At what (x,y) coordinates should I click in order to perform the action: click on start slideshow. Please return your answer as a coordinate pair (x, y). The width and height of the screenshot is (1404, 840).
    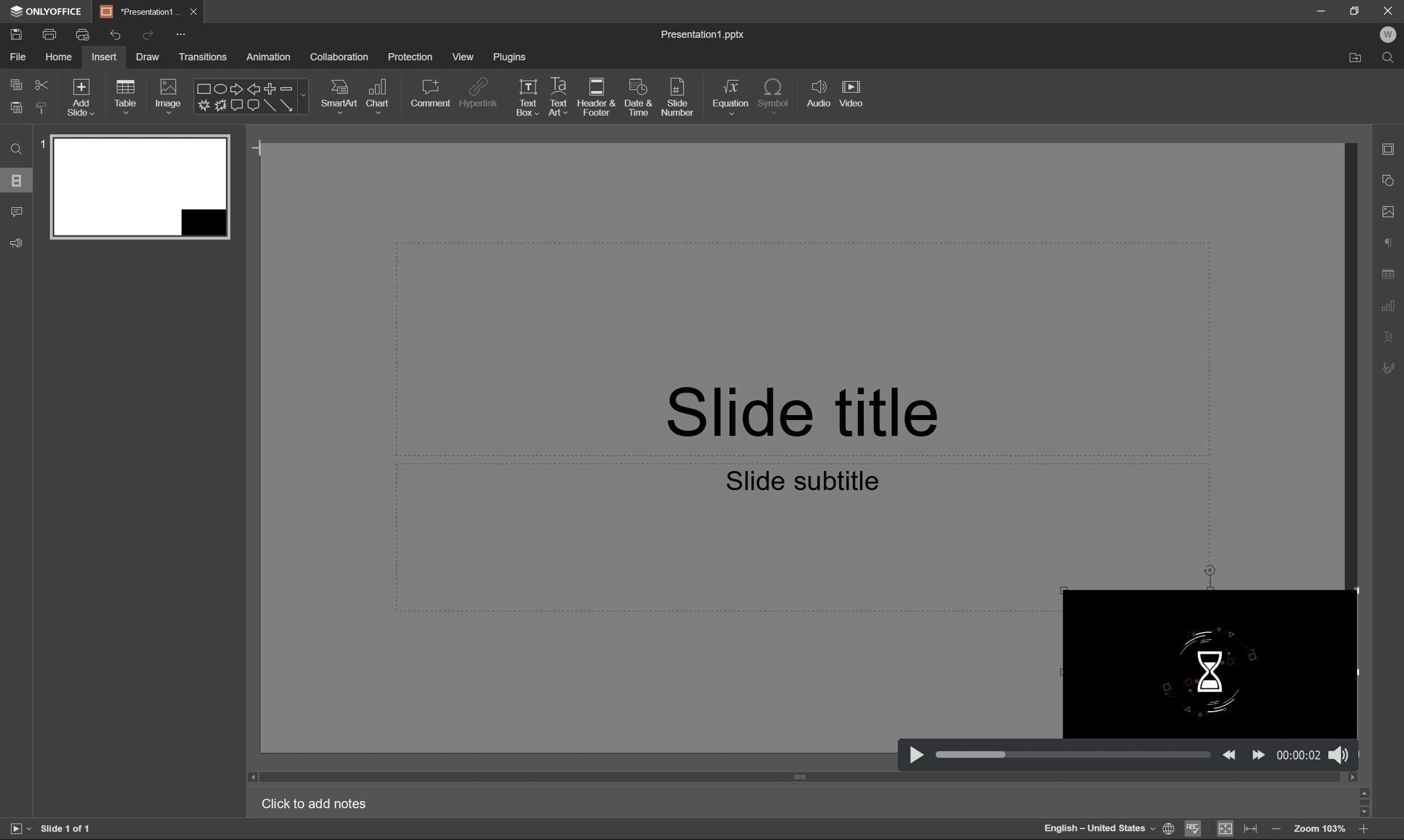
    Looking at the image, I should click on (16, 827).